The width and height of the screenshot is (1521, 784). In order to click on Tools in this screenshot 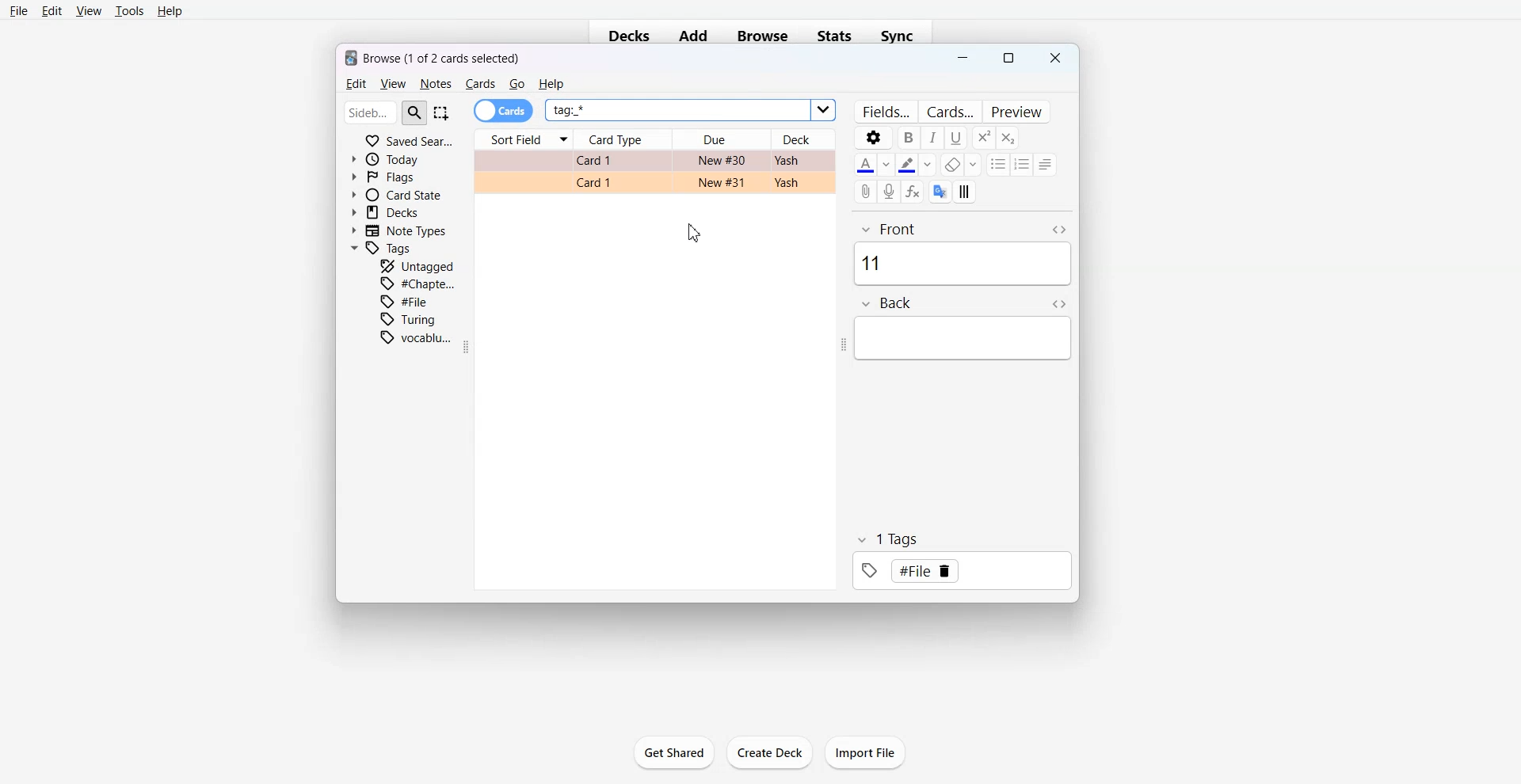, I will do `click(129, 11)`.